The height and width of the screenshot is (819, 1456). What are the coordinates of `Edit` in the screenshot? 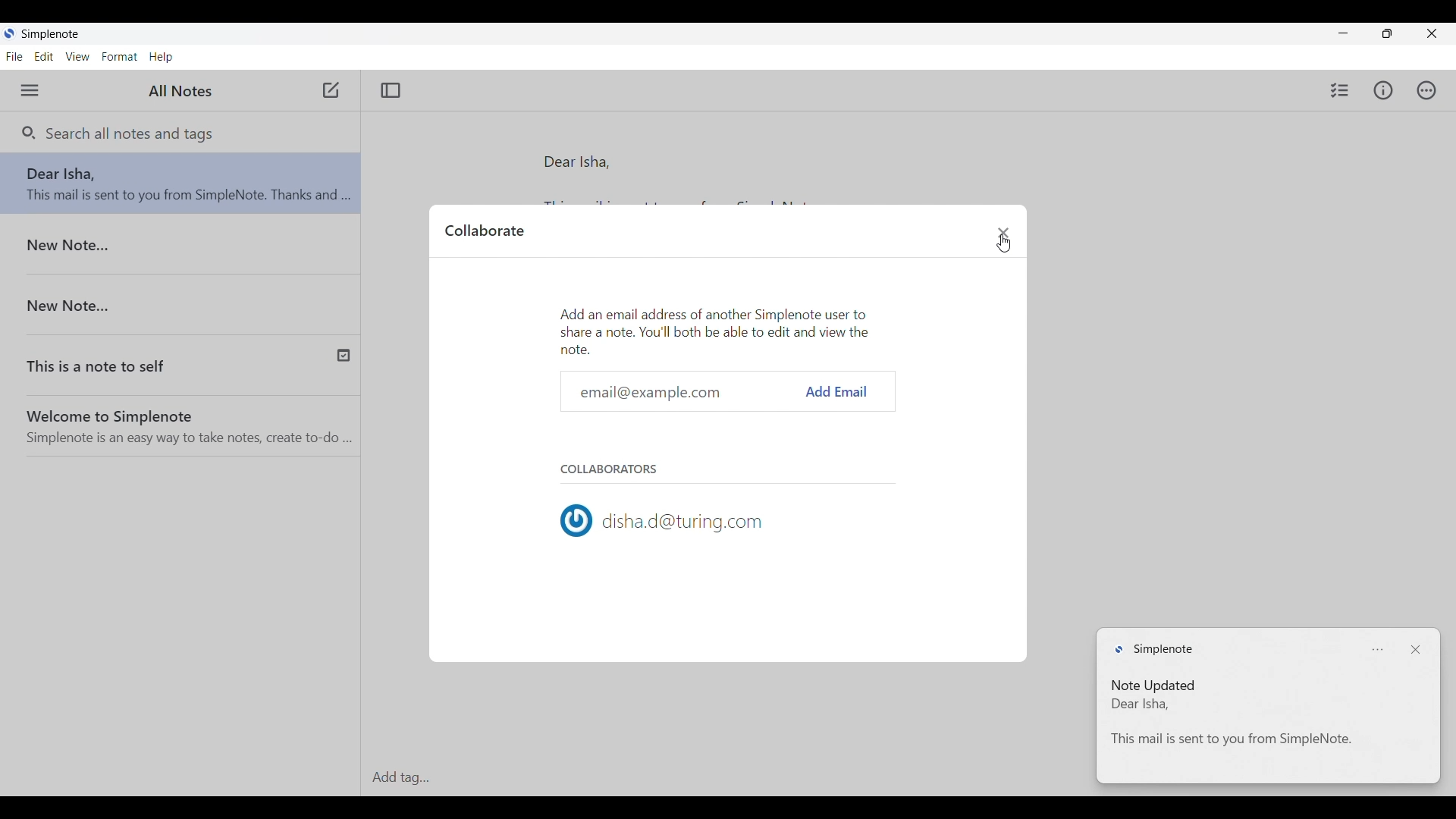 It's located at (44, 56).